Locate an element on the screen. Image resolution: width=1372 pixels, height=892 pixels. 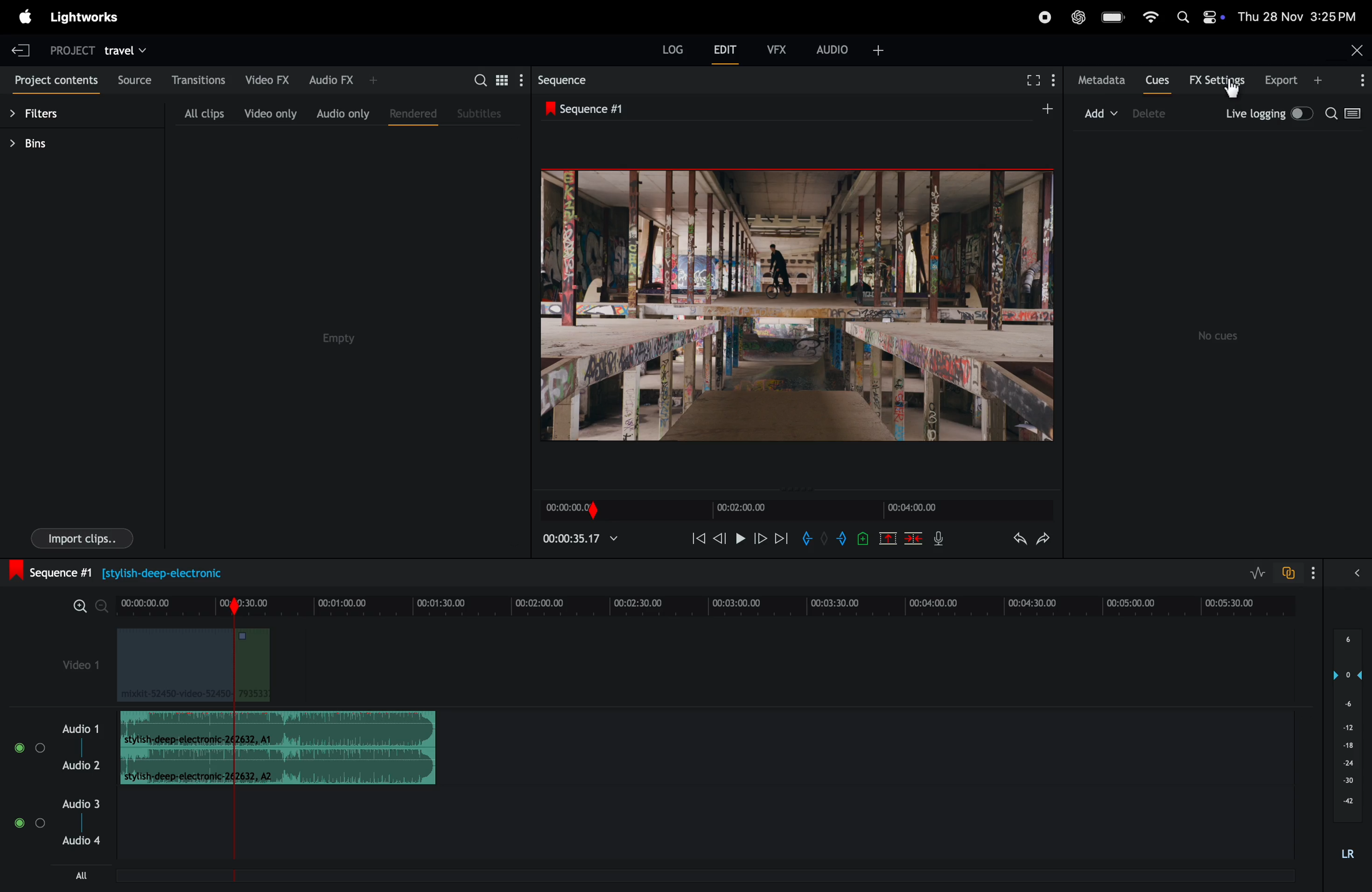
battery is located at coordinates (1111, 17).